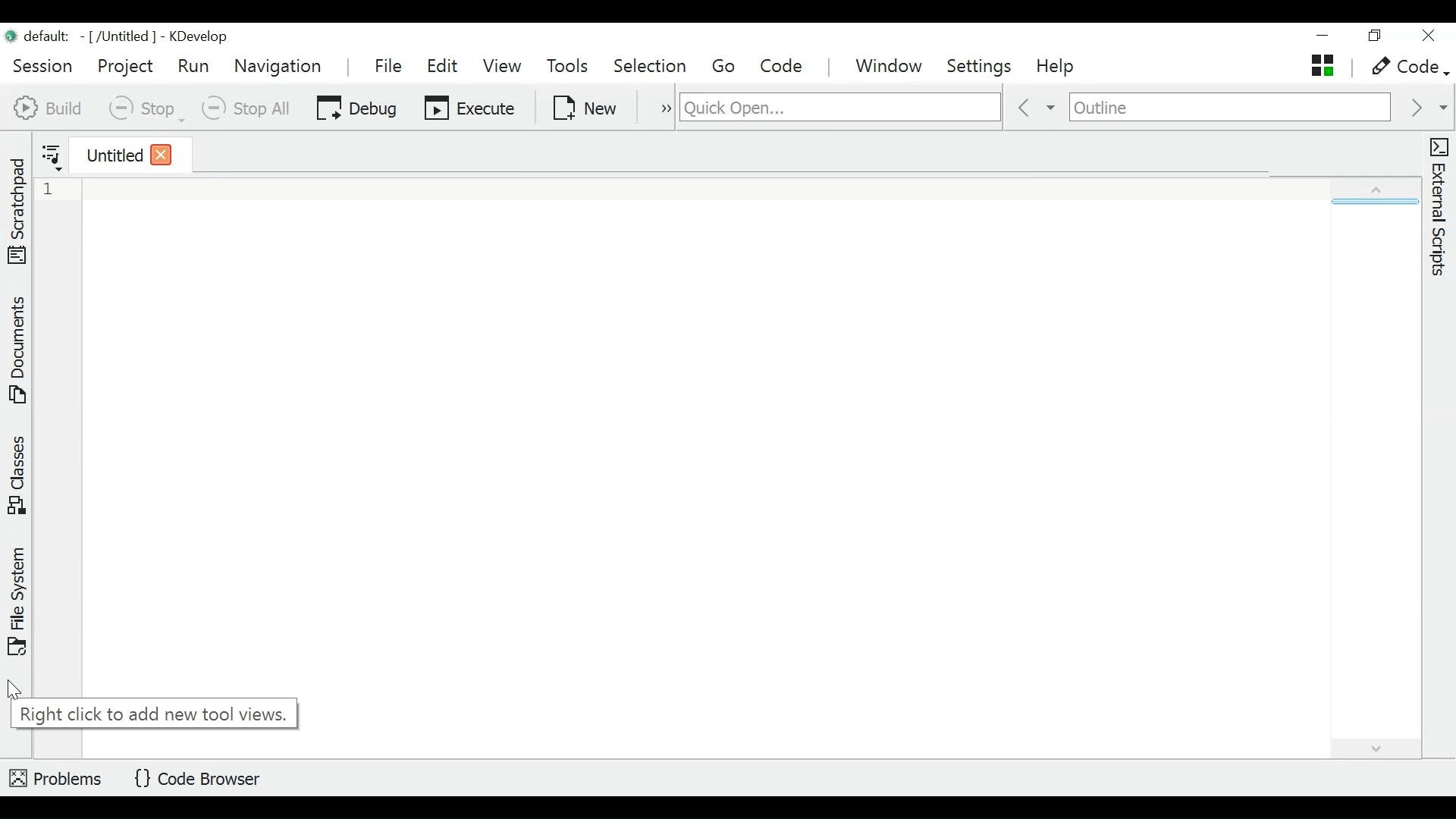 The image size is (1456, 819). What do you see at coordinates (1360, 190) in the screenshot?
I see `expand` at bounding box center [1360, 190].